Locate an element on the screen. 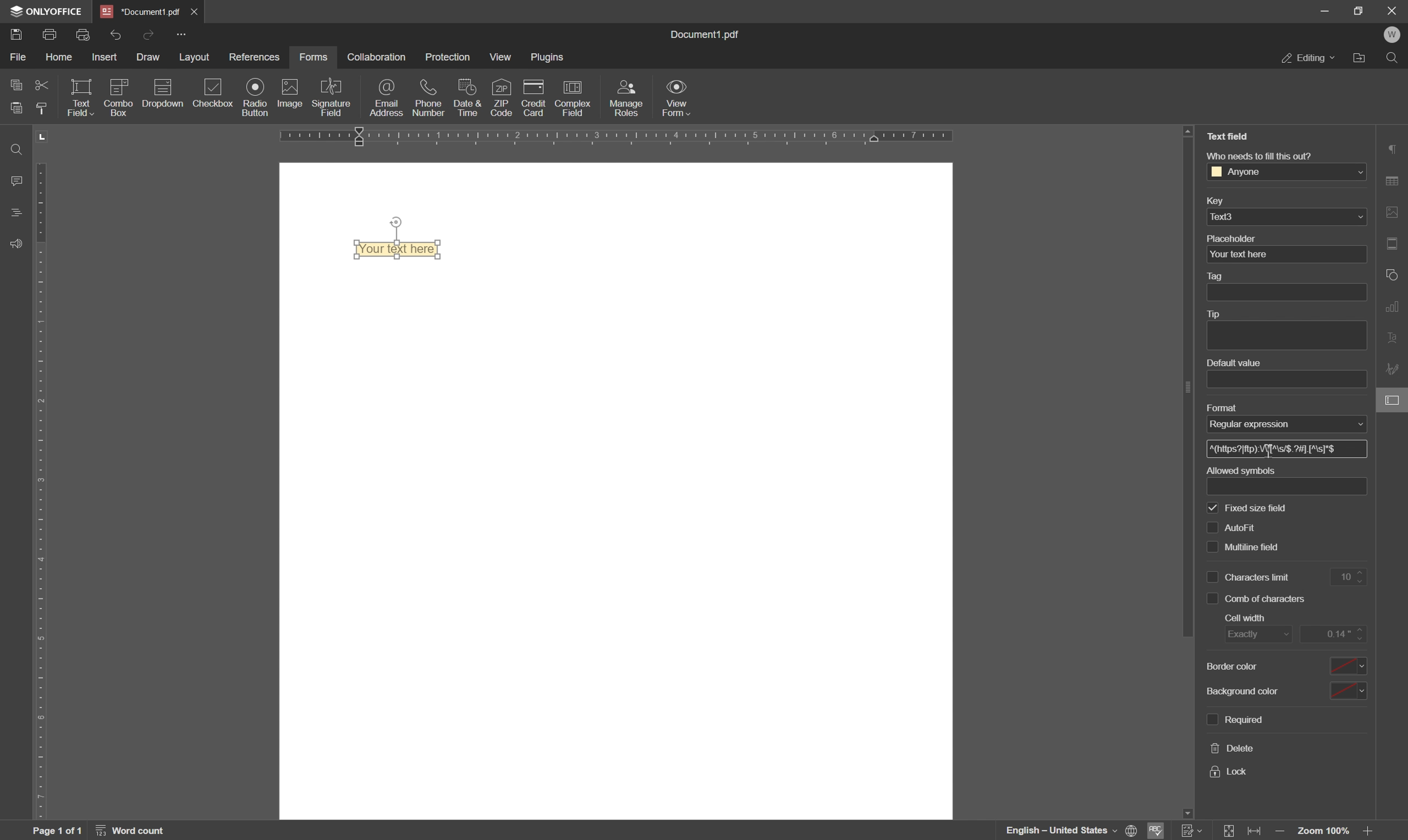  cursor is located at coordinates (1269, 451).